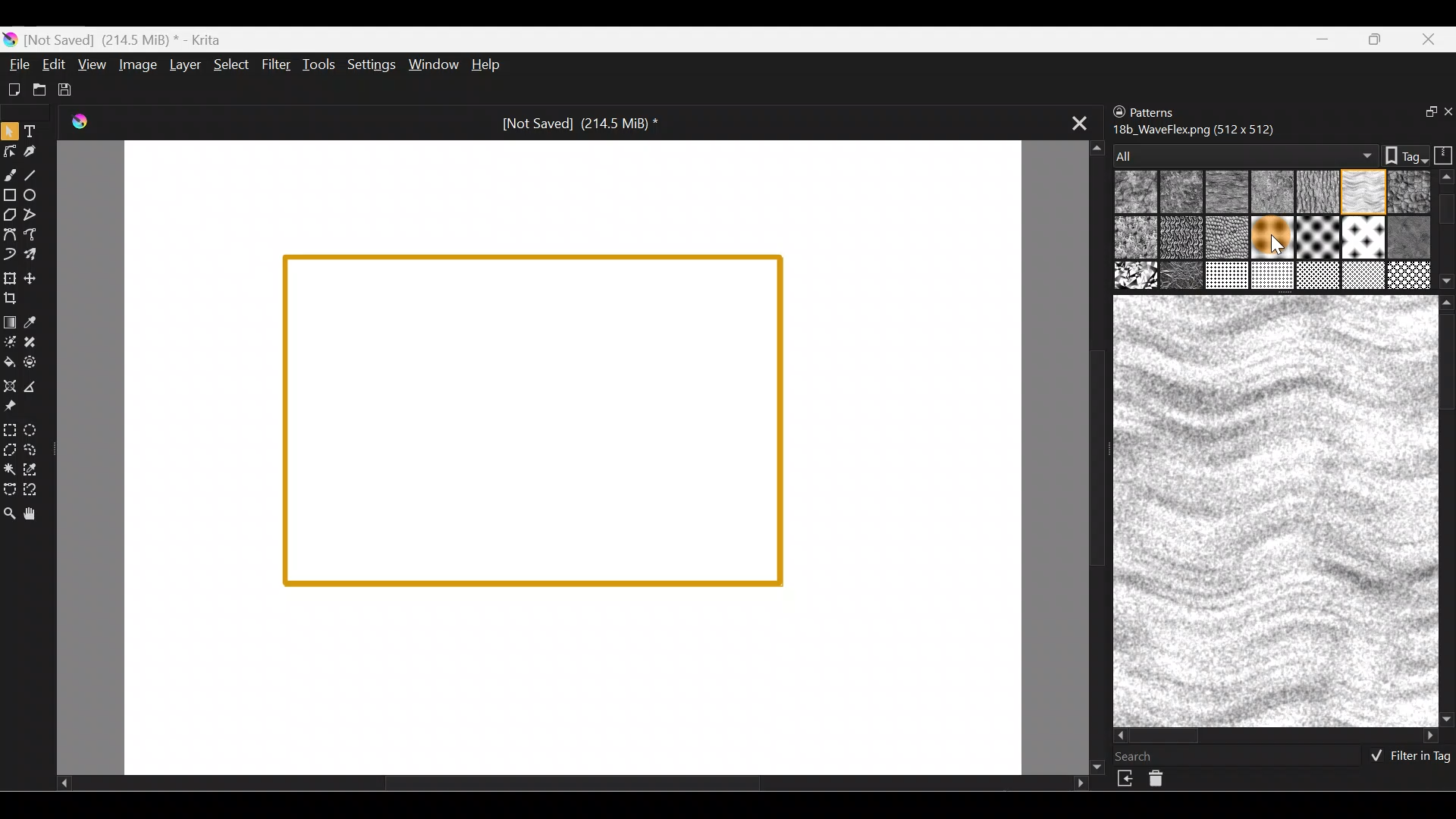 The height and width of the screenshot is (819, 1456). I want to click on Contiguous selection tool, so click(11, 470).